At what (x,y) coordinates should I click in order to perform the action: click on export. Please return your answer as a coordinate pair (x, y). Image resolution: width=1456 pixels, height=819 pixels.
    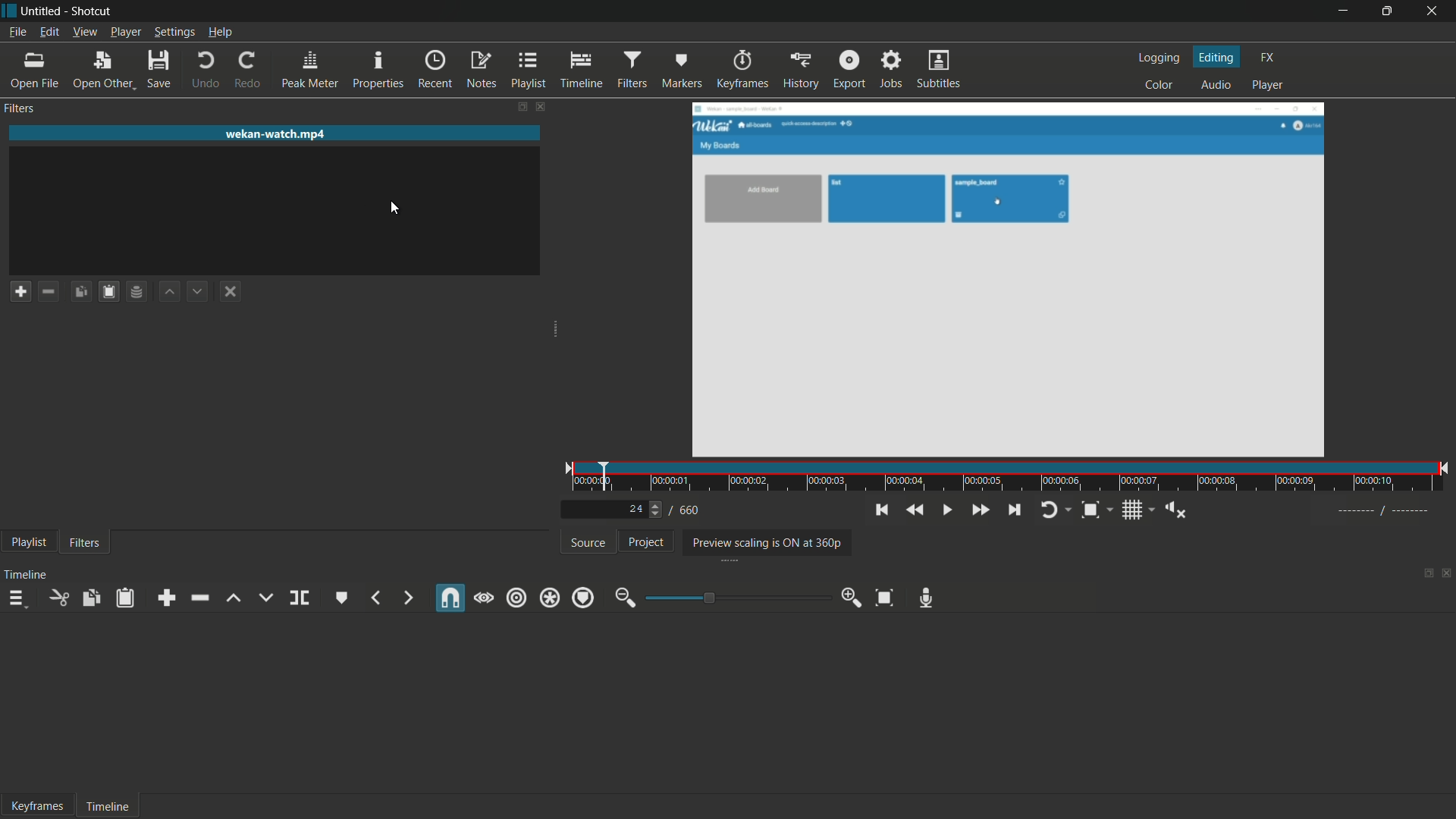
    Looking at the image, I should click on (851, 71).